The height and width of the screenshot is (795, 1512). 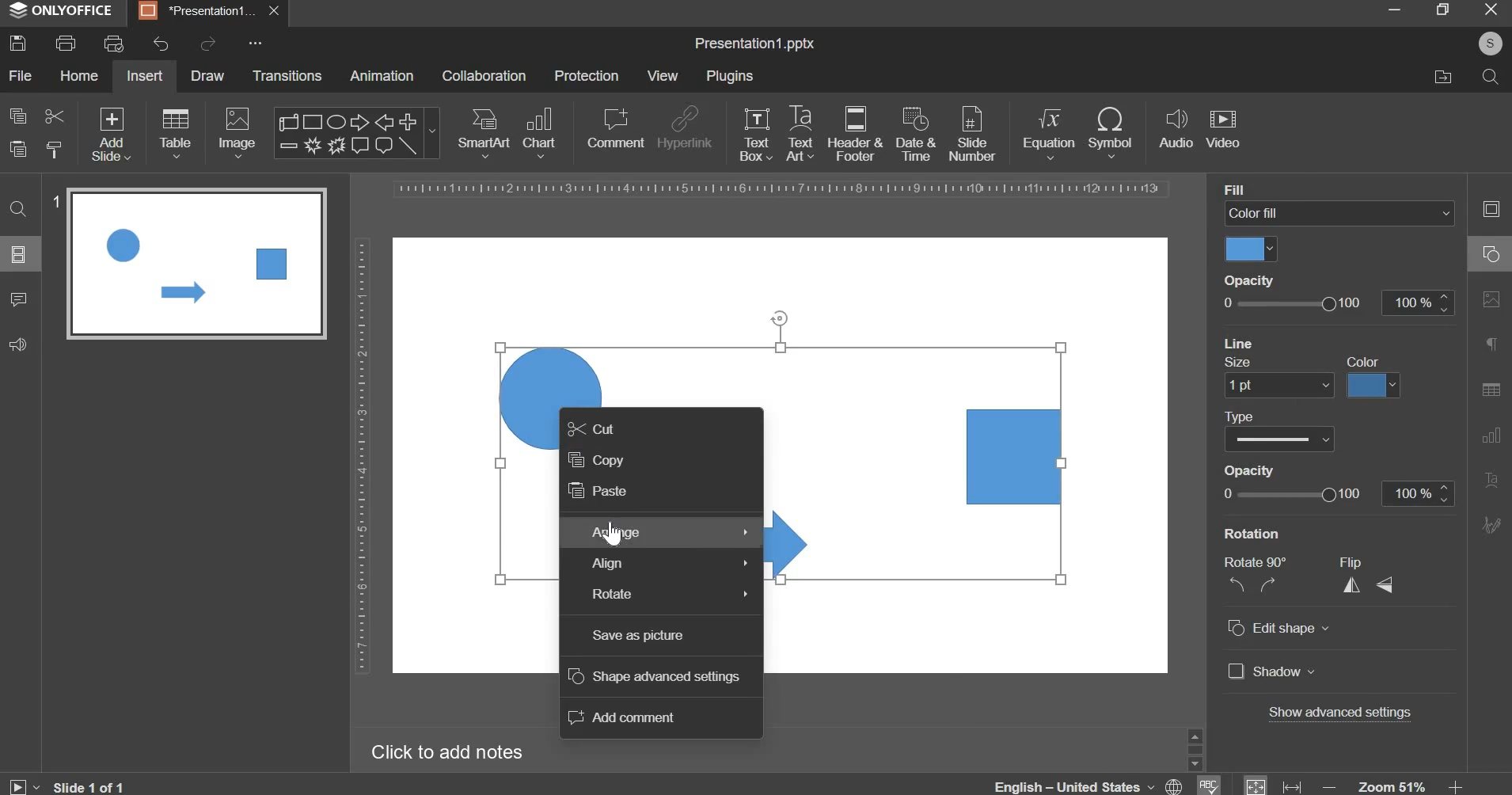 What do you see at coordinates (672, 564) in the screenshot?
I see `align` at bounding box center [672, 564].